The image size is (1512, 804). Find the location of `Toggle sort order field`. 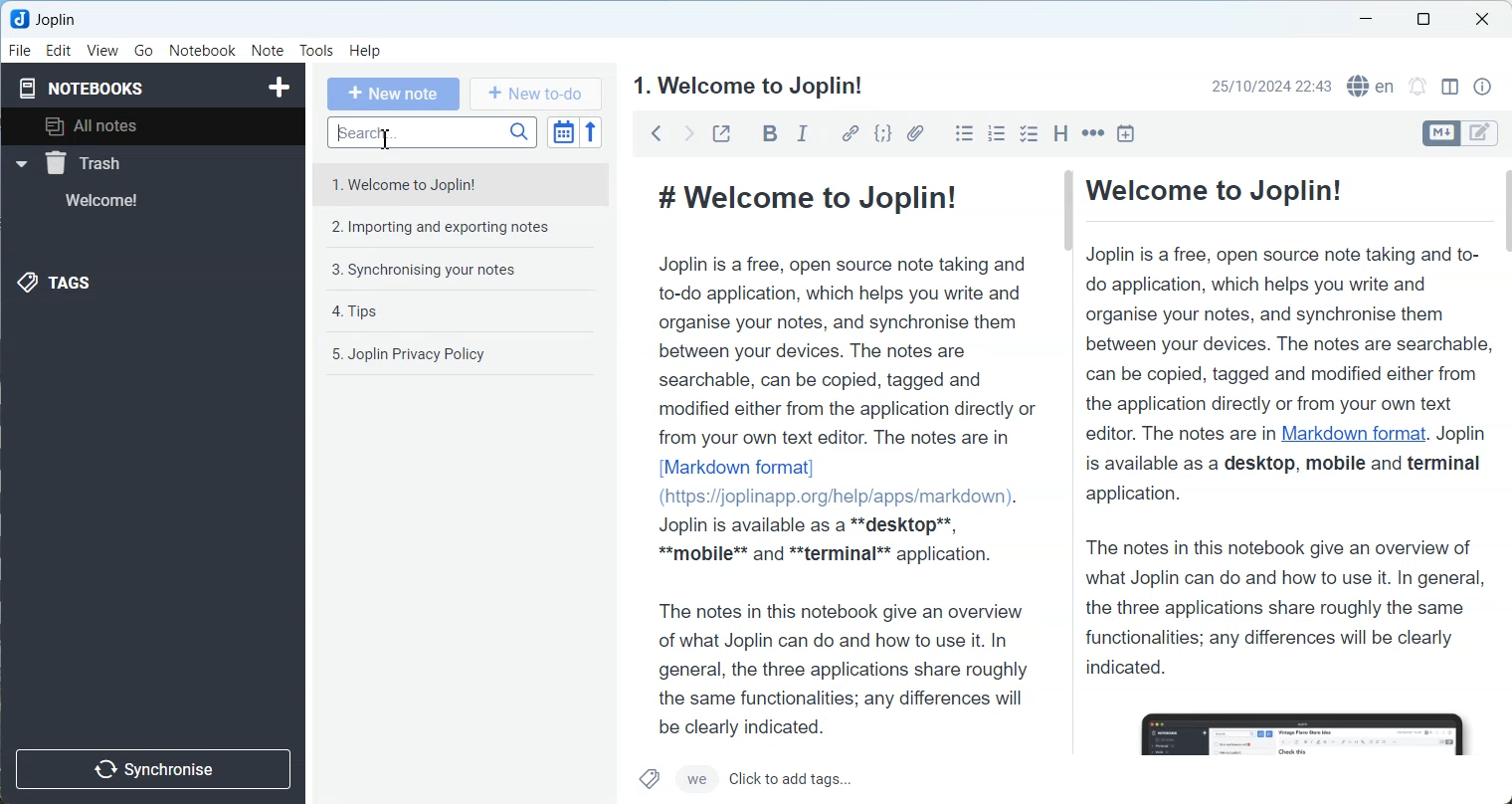

Toggle sort order field is located at coordinates (562, 134).